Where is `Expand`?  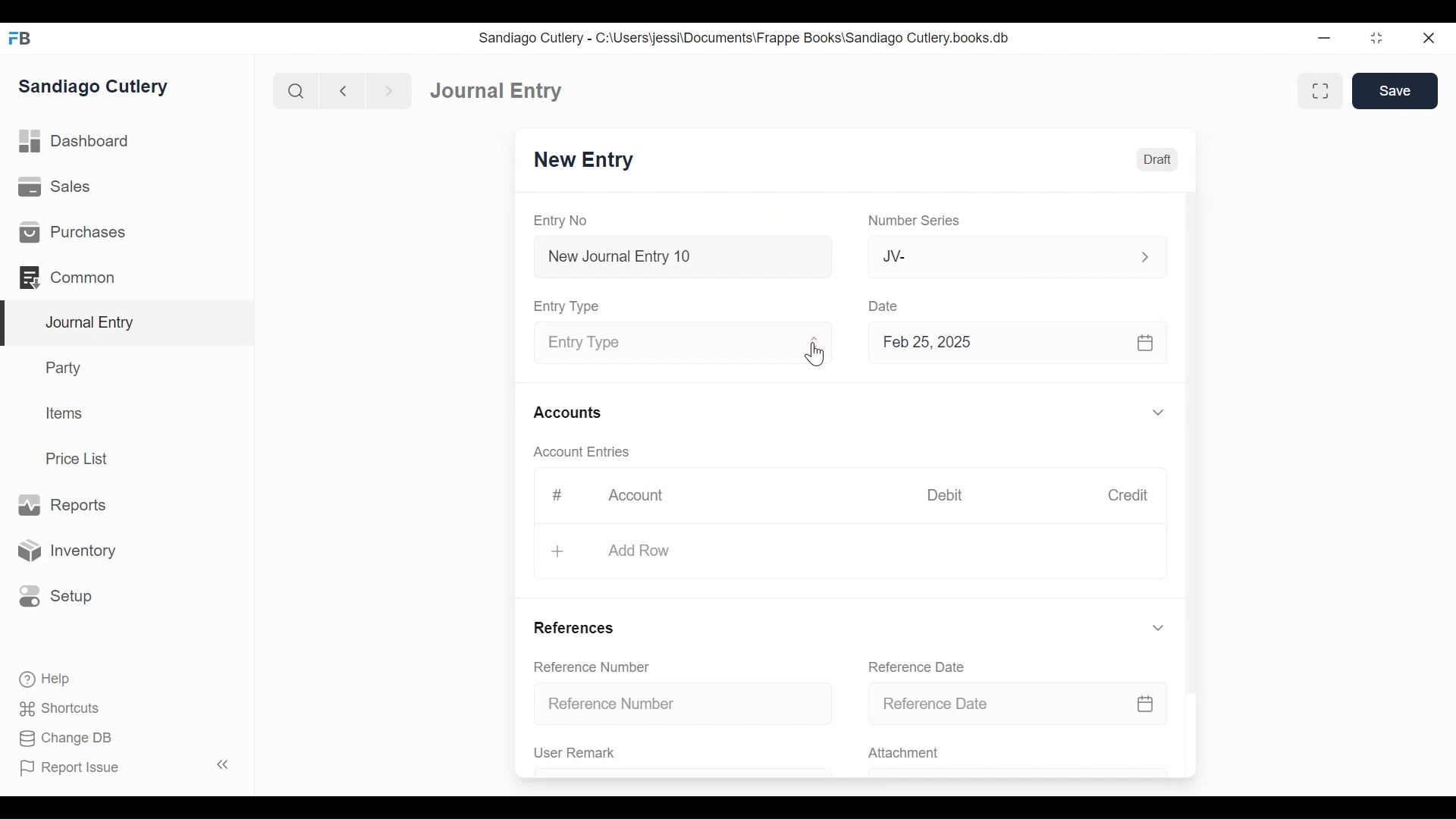 Expand is located at coordinates (1158, 413).